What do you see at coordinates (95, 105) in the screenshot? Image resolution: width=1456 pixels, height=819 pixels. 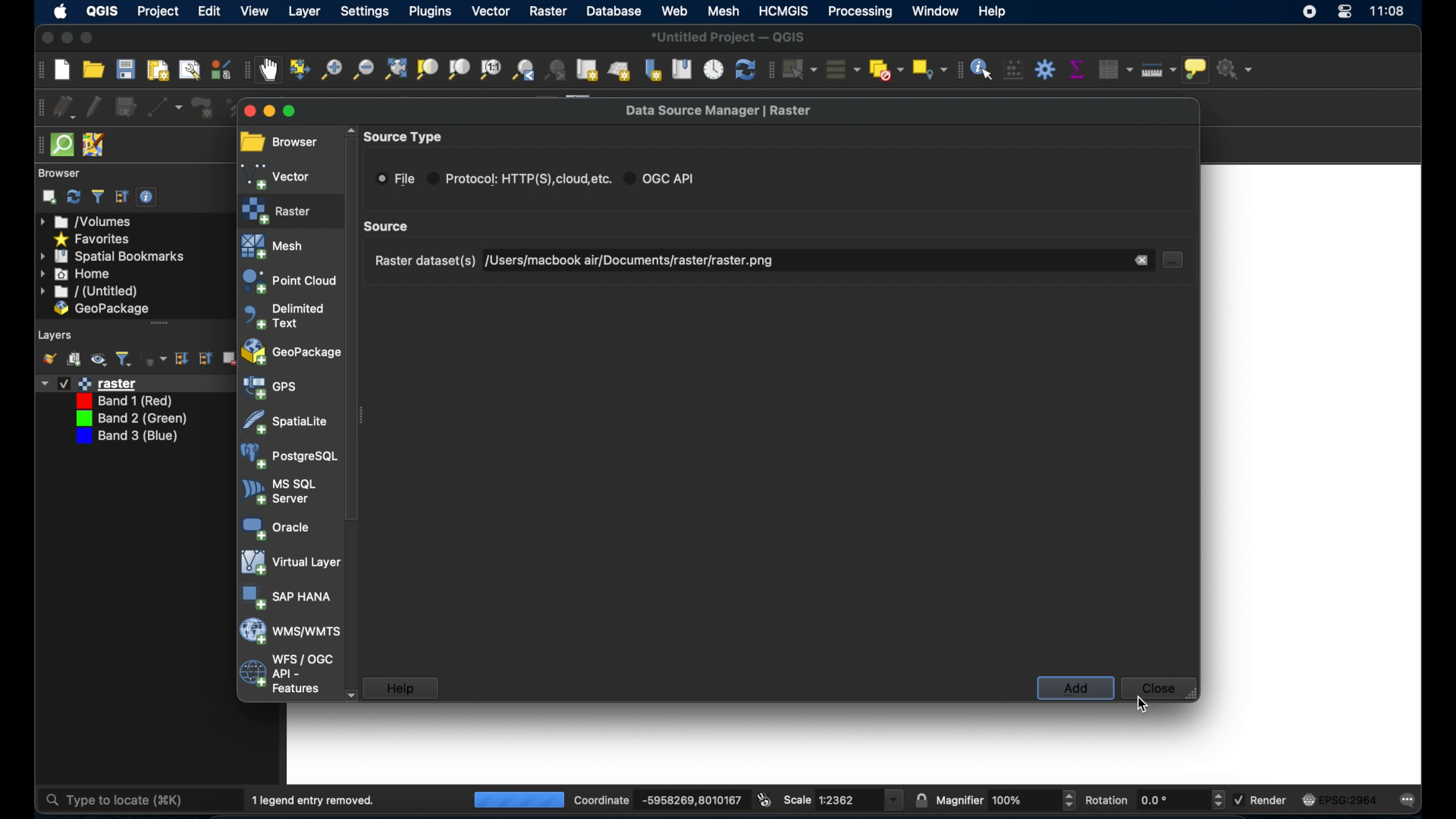 I see `toggle editing` at bounding box center [95, 105].